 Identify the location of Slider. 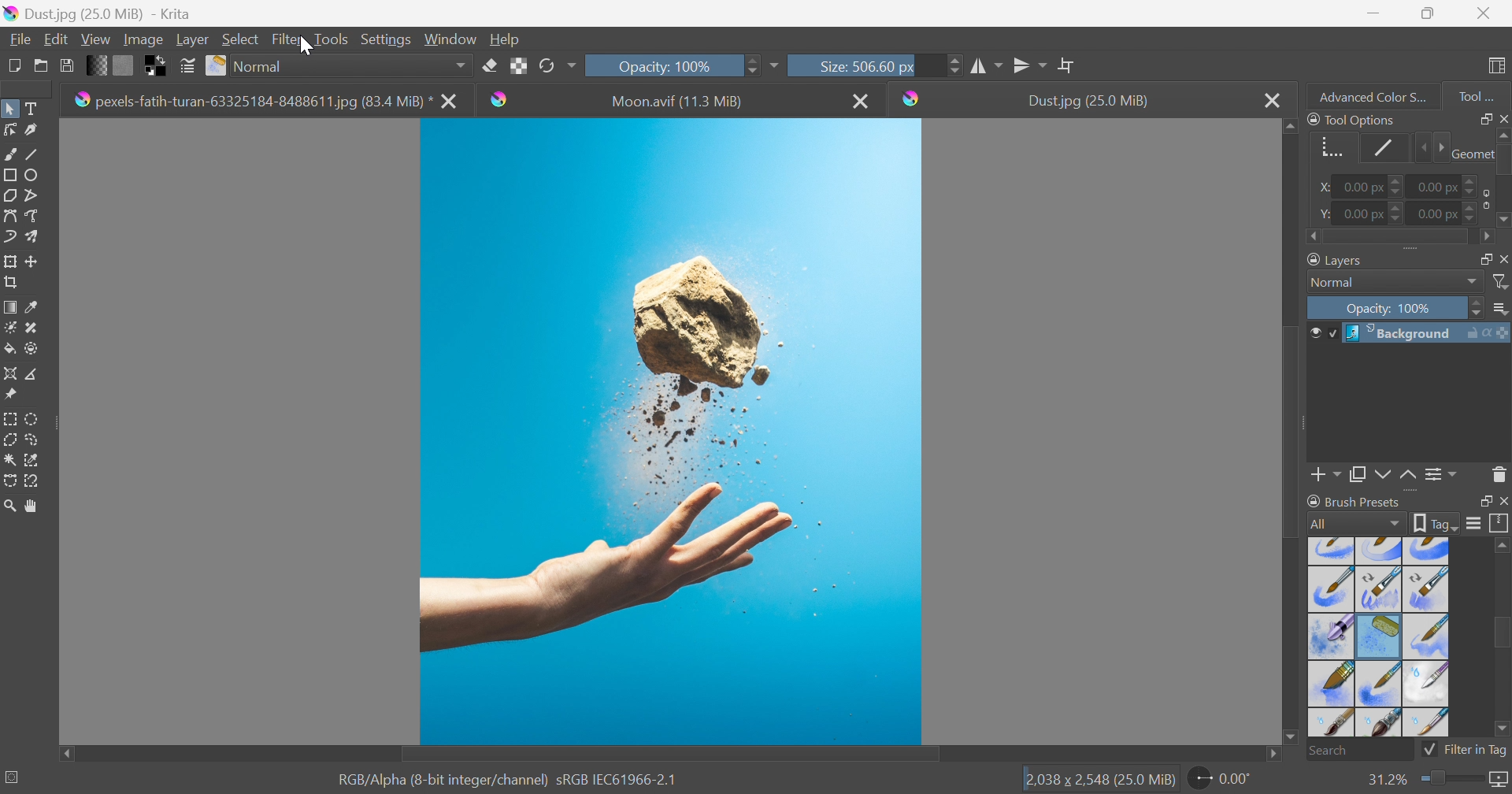
(1477, 309).